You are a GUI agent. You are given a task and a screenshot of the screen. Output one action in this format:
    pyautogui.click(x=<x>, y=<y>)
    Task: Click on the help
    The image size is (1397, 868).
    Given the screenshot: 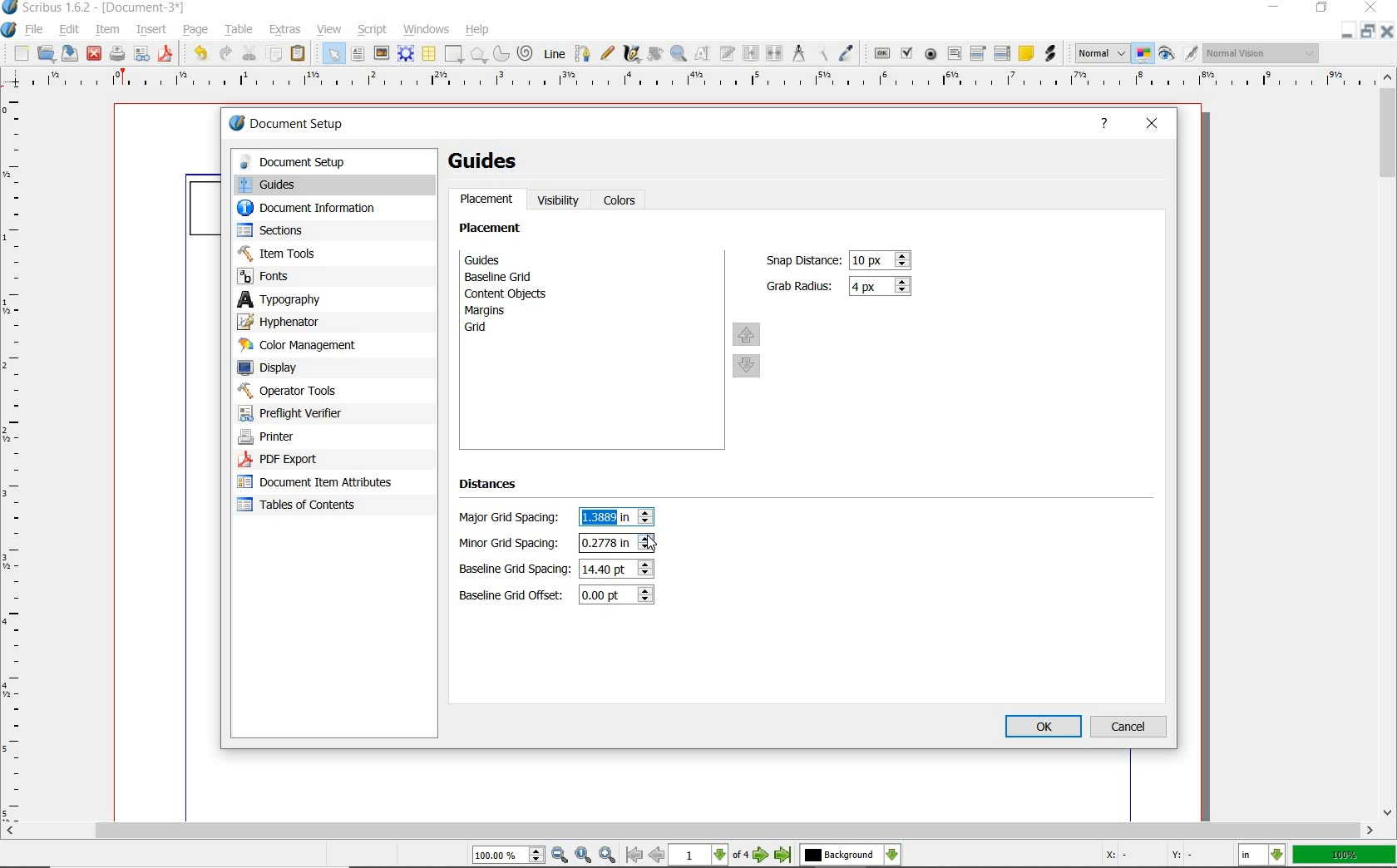 What is the action you would take?
    pyautogui.click(x=1105, y=126)
    